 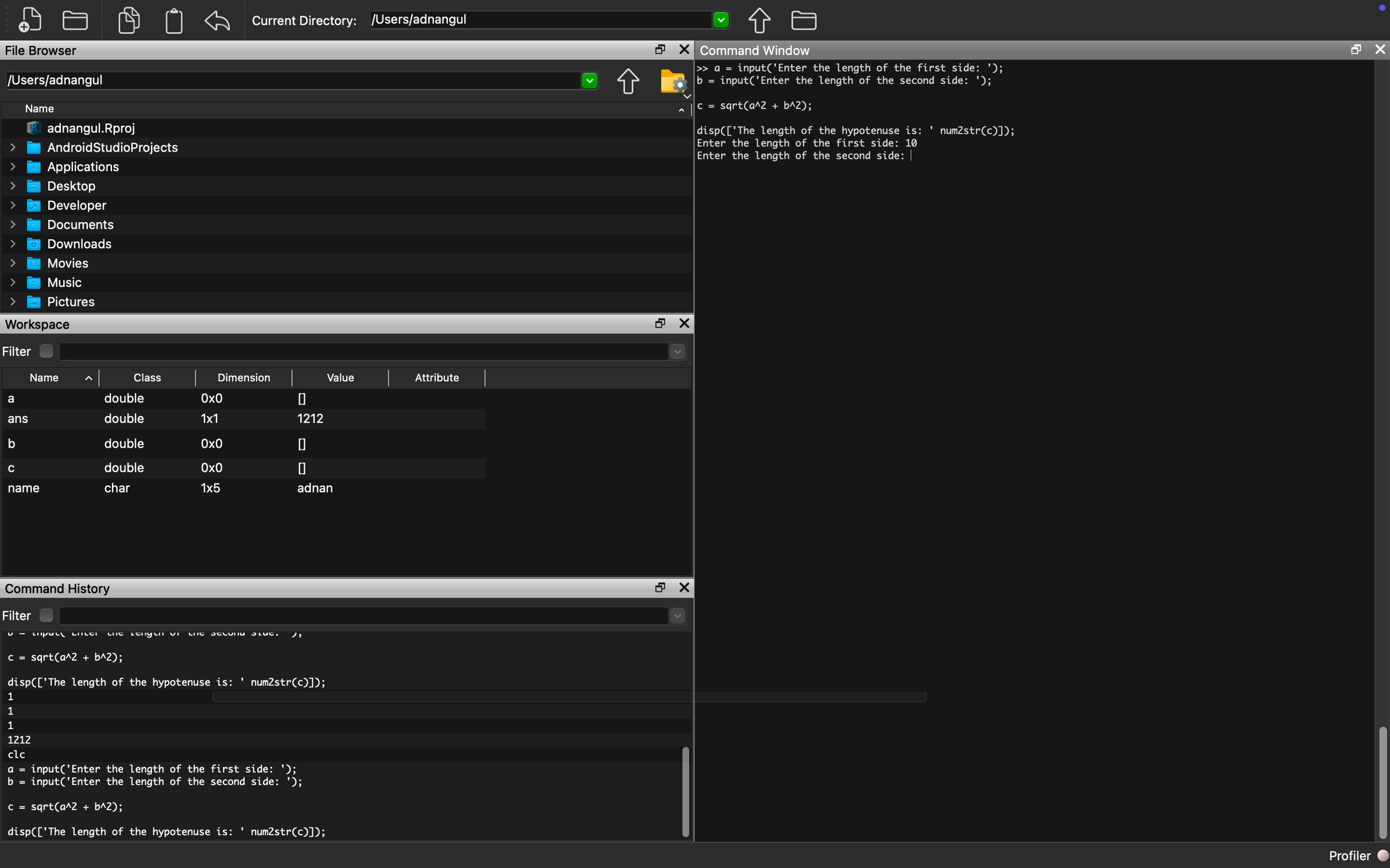 What do you see at coordinates (14, 468) in the screenshot?
I see `c` at bounding box center [14, 468].